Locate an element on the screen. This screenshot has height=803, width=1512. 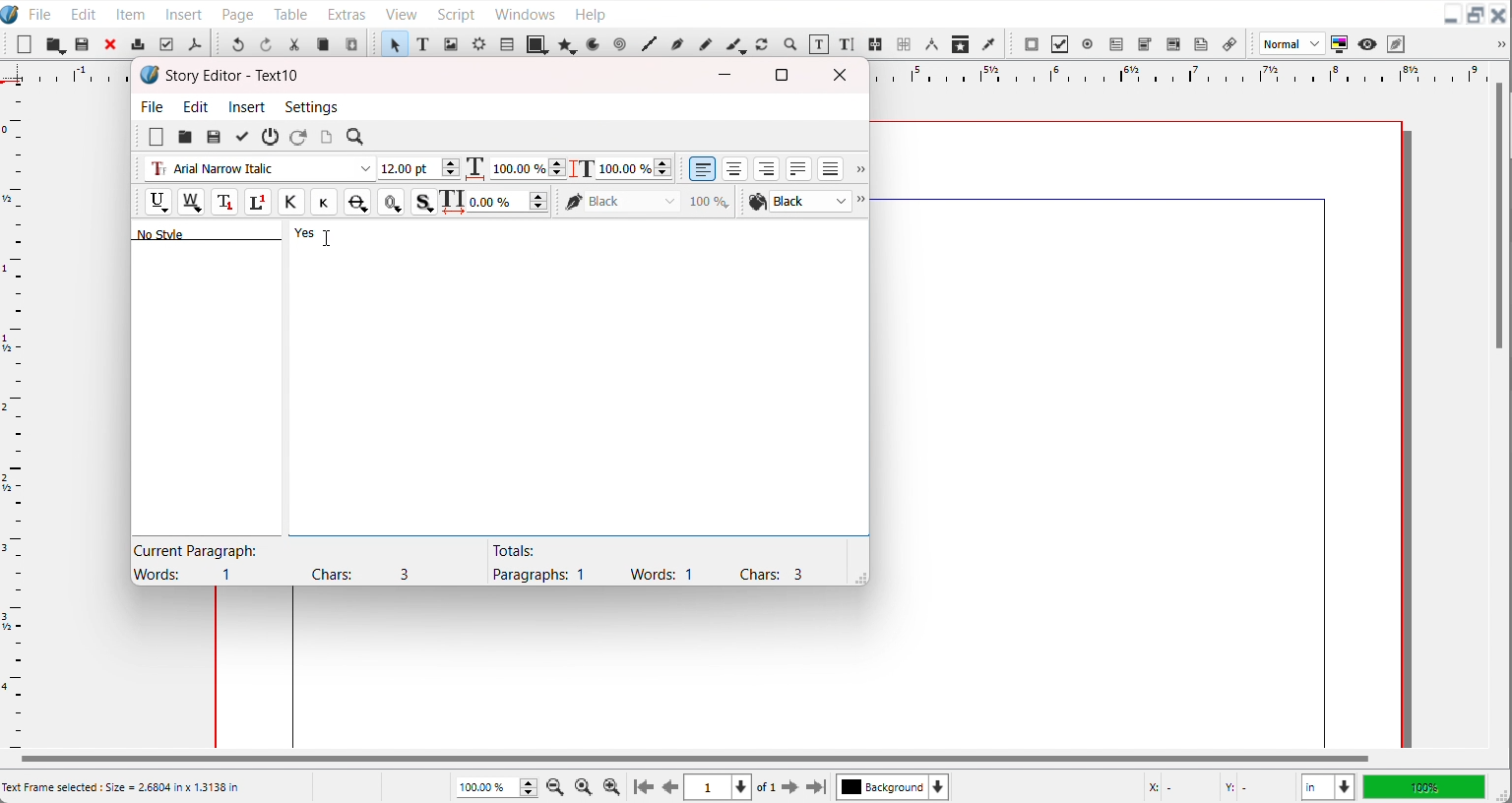
Text is located at coordinates (647, 562).